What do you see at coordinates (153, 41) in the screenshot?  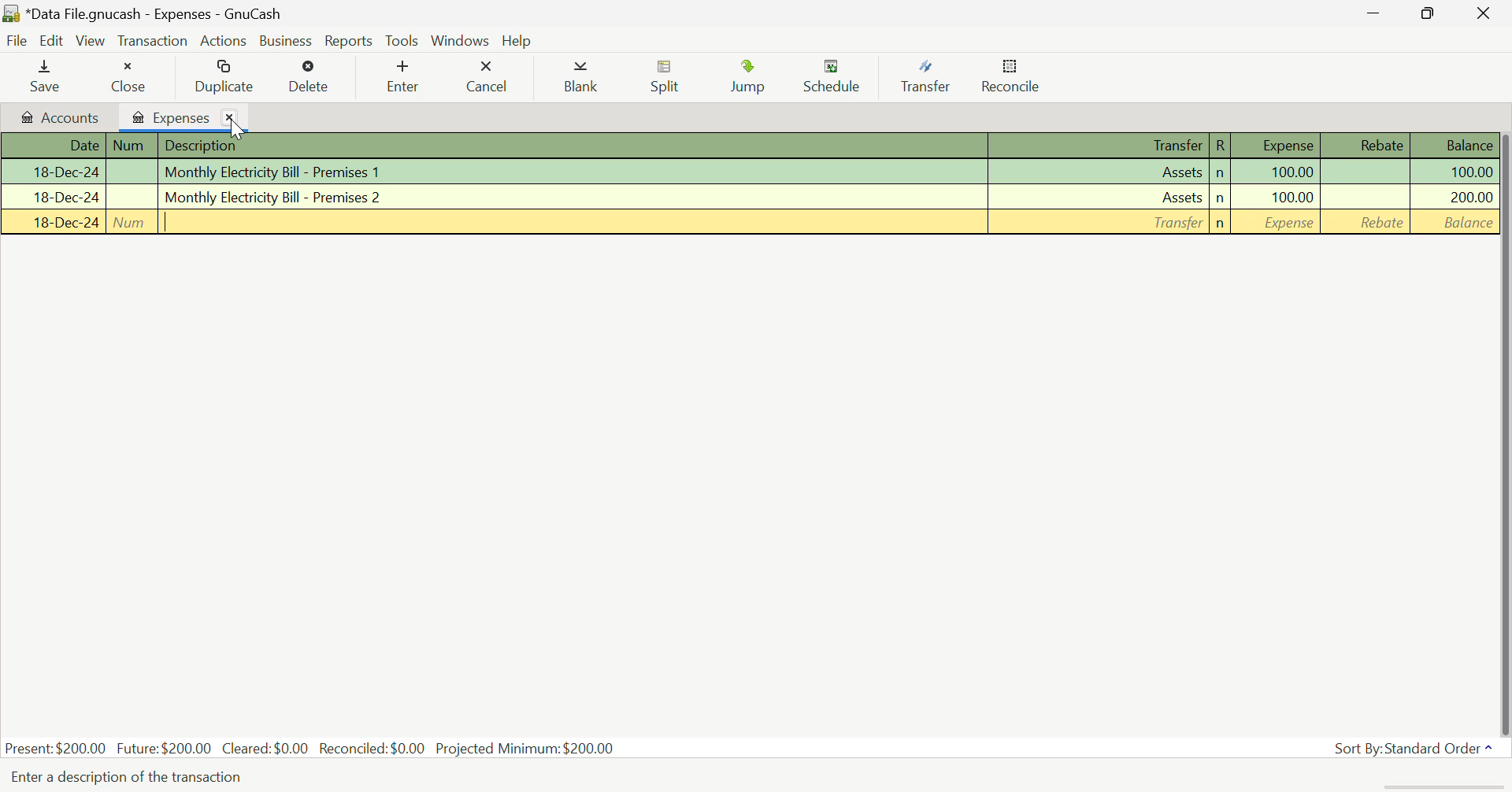 I see `Transaction` at bounding box center [153, 41].